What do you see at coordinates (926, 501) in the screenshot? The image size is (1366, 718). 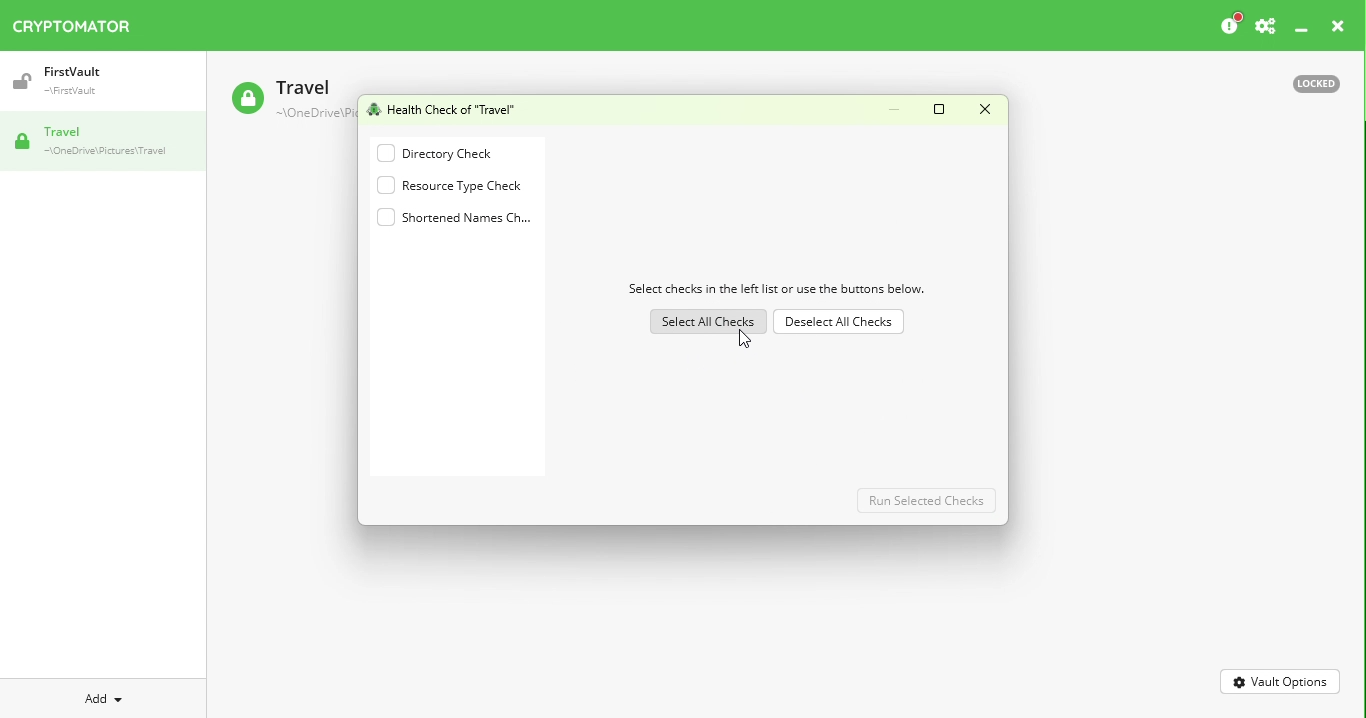 I see `Run selected checks` at bounding box center [926, 501].